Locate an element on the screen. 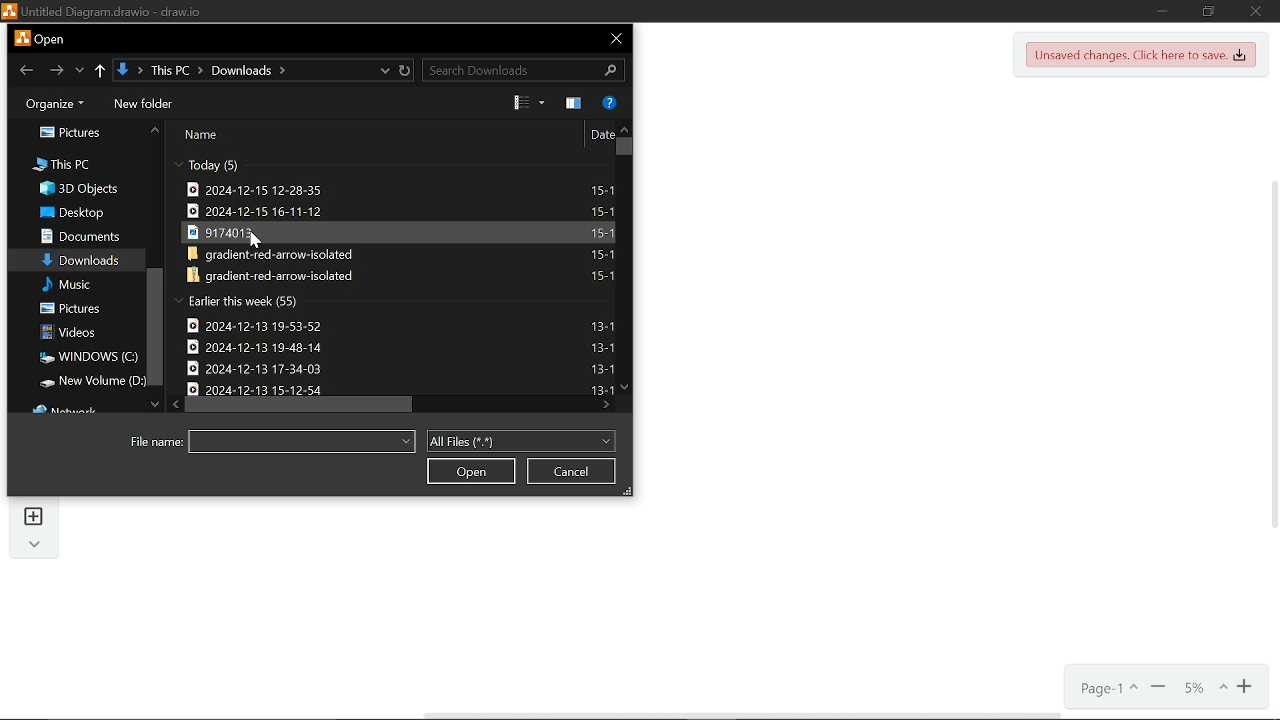 The height and width of the screenshot is (720, 1280). Restore down is located at coordinates (1208, 11).